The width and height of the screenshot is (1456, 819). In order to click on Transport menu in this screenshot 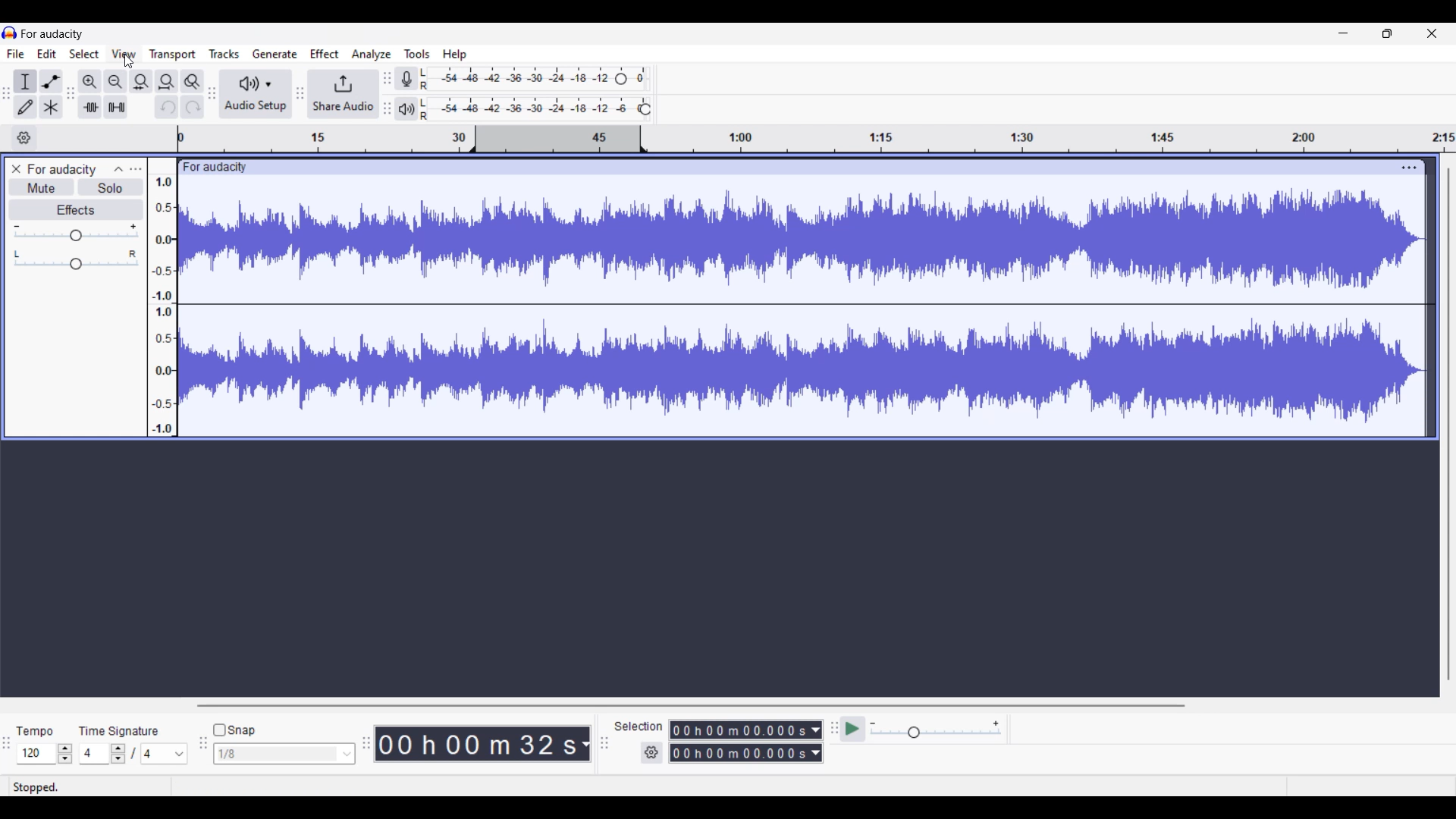, I will do `click(173, 55)`.